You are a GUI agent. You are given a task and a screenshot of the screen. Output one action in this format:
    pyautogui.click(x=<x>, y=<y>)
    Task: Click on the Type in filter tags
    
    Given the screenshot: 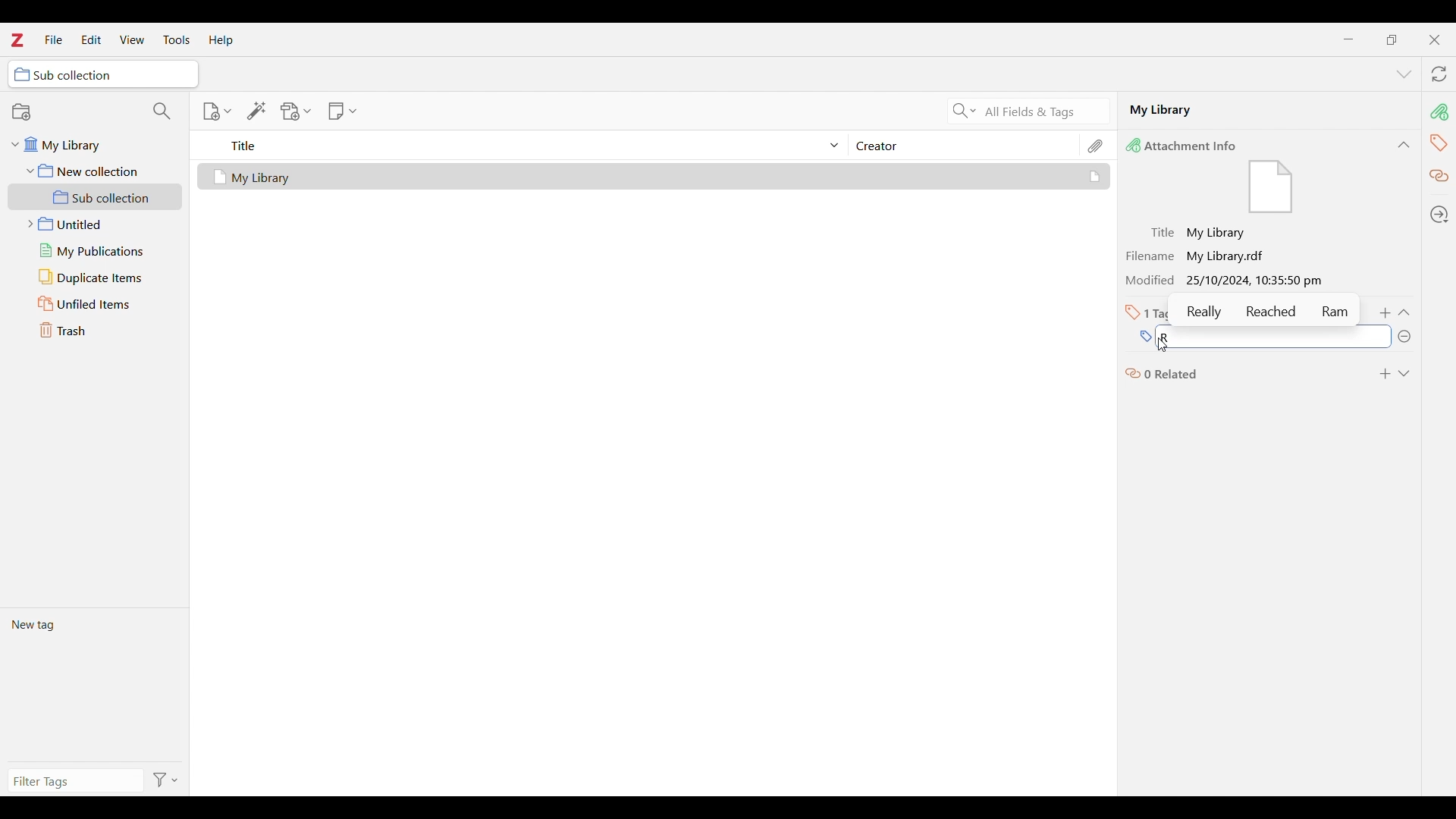 What is the action you would take?
    pyautogui.click(x=73, y=783)
    